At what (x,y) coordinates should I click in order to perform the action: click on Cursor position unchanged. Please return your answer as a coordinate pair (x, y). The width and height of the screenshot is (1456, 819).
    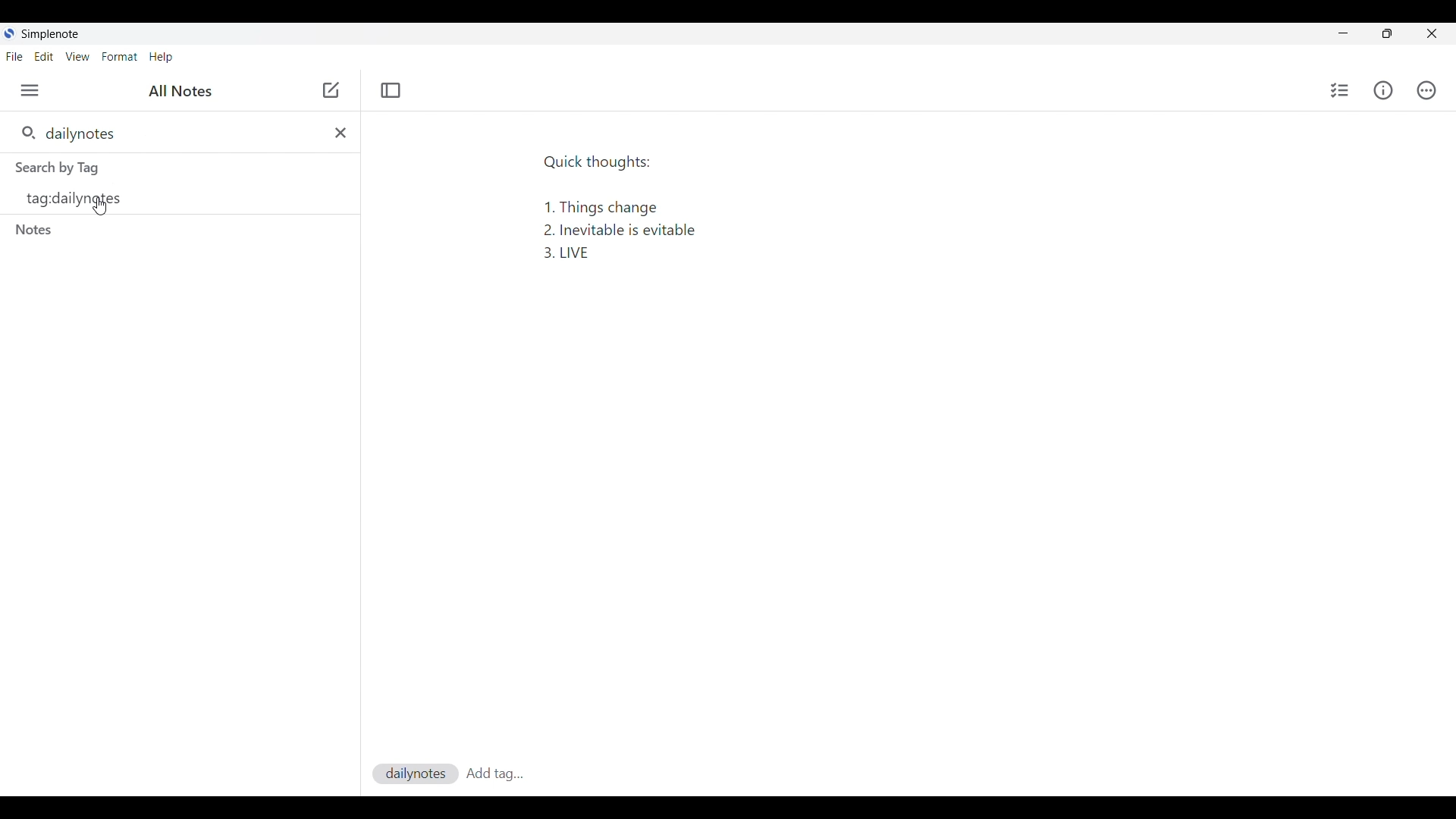
    Looking at the image, I should click on (331, 91).